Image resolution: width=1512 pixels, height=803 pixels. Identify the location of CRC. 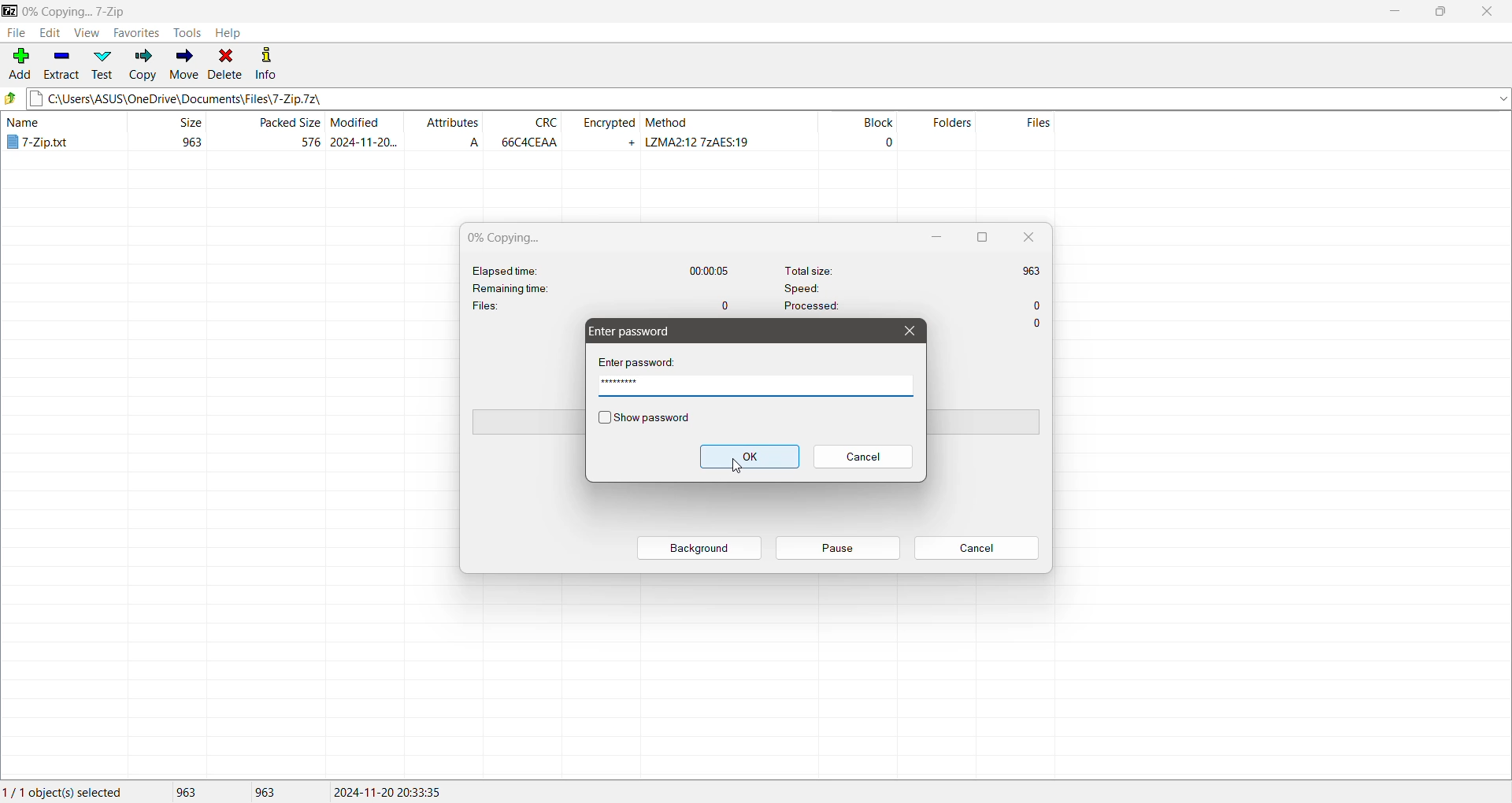
(528, 132).